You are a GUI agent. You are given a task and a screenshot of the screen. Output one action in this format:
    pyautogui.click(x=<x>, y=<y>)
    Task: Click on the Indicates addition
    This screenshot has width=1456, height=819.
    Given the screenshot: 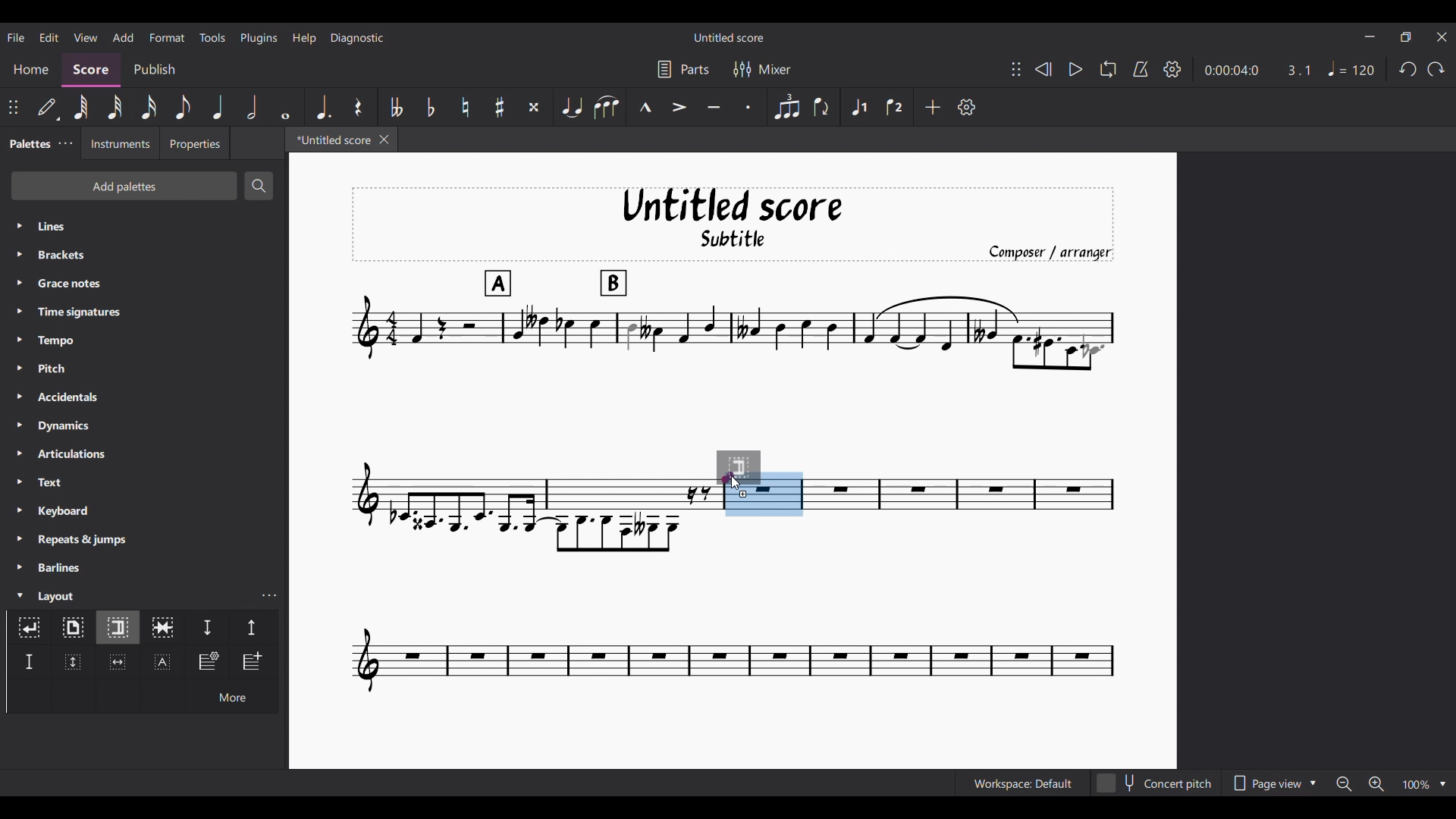 What is the action you would take?
    pyautogui.click(x=743, y=494)
    